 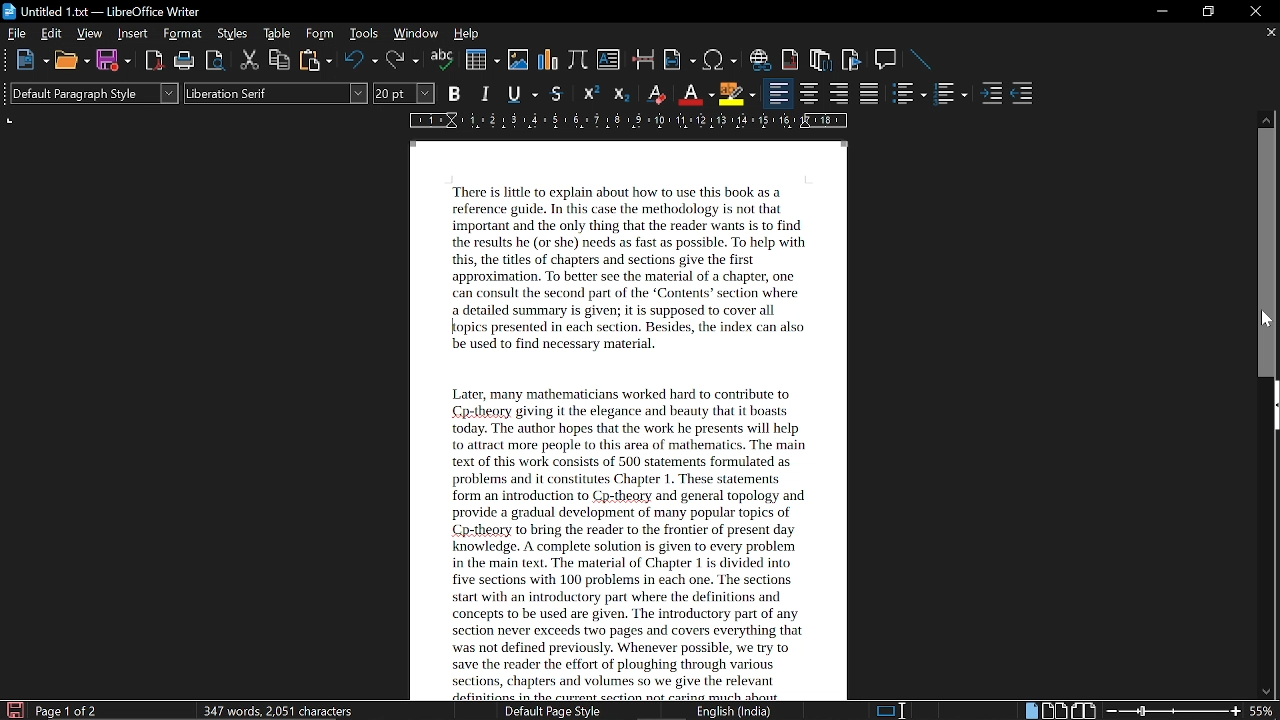 What do you see at coordinates (777, 95) in the screenshot?
I see `align left` at bounding box center [777, 95].